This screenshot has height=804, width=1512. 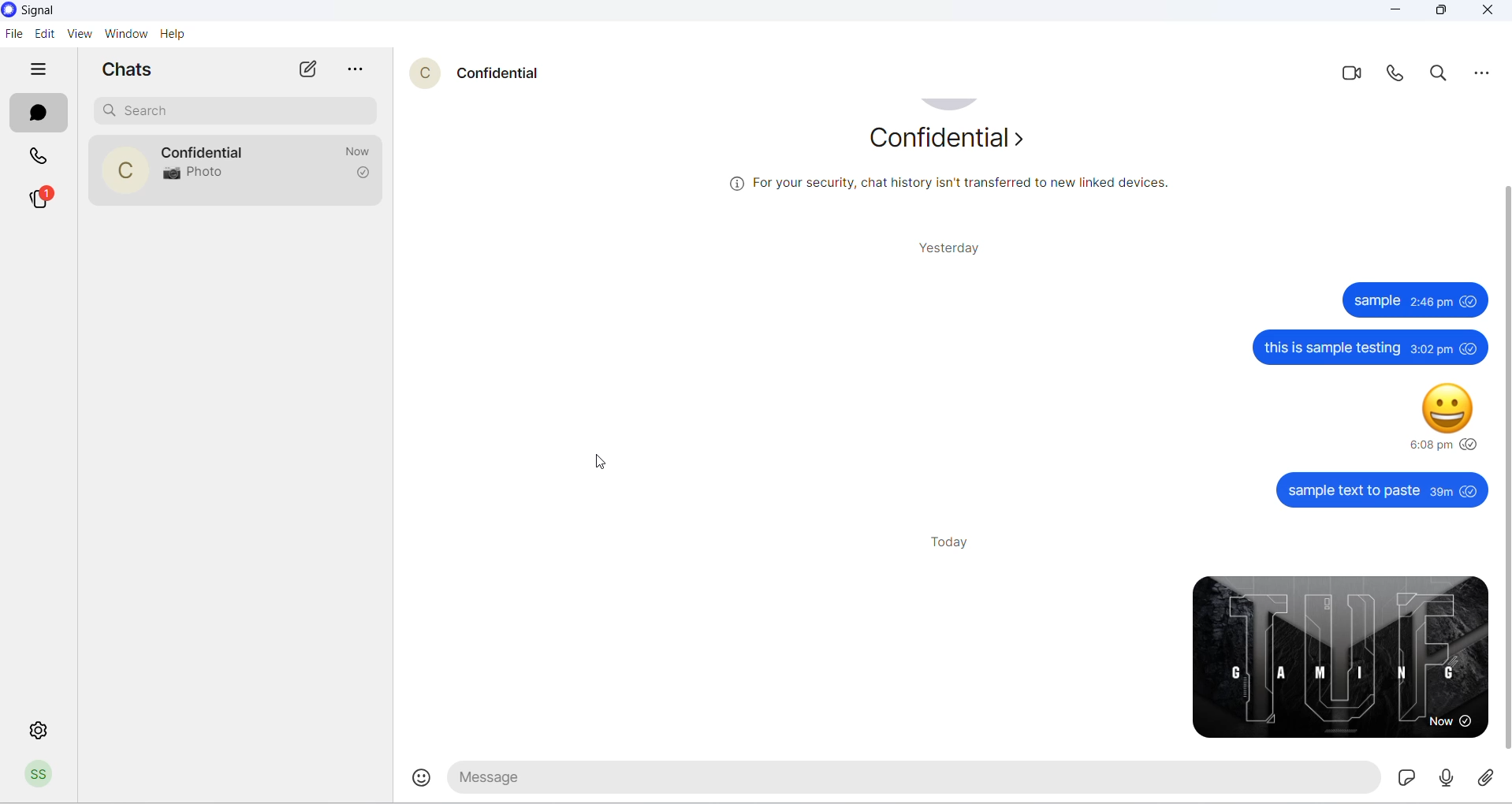 What do you see at coordinates (952, 104) in the screenshot?
I see `profile picture` at bounding box center [952, 104].